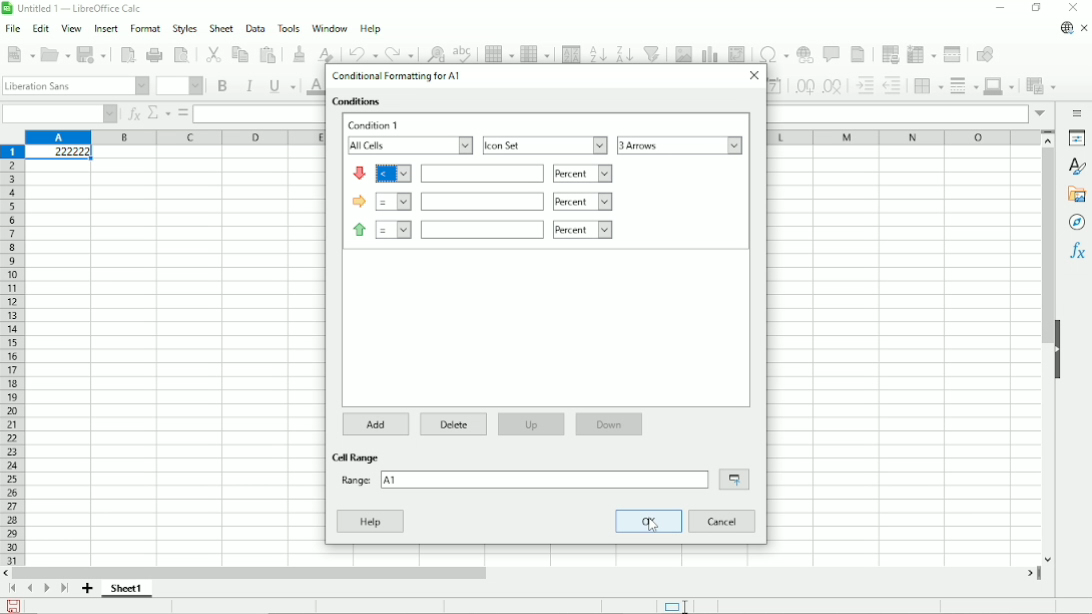 The image size is (1092, 614). Describe the element at coordinates (1044, 246) in the screenshot. I see `Vertical scrollbar` at that location.